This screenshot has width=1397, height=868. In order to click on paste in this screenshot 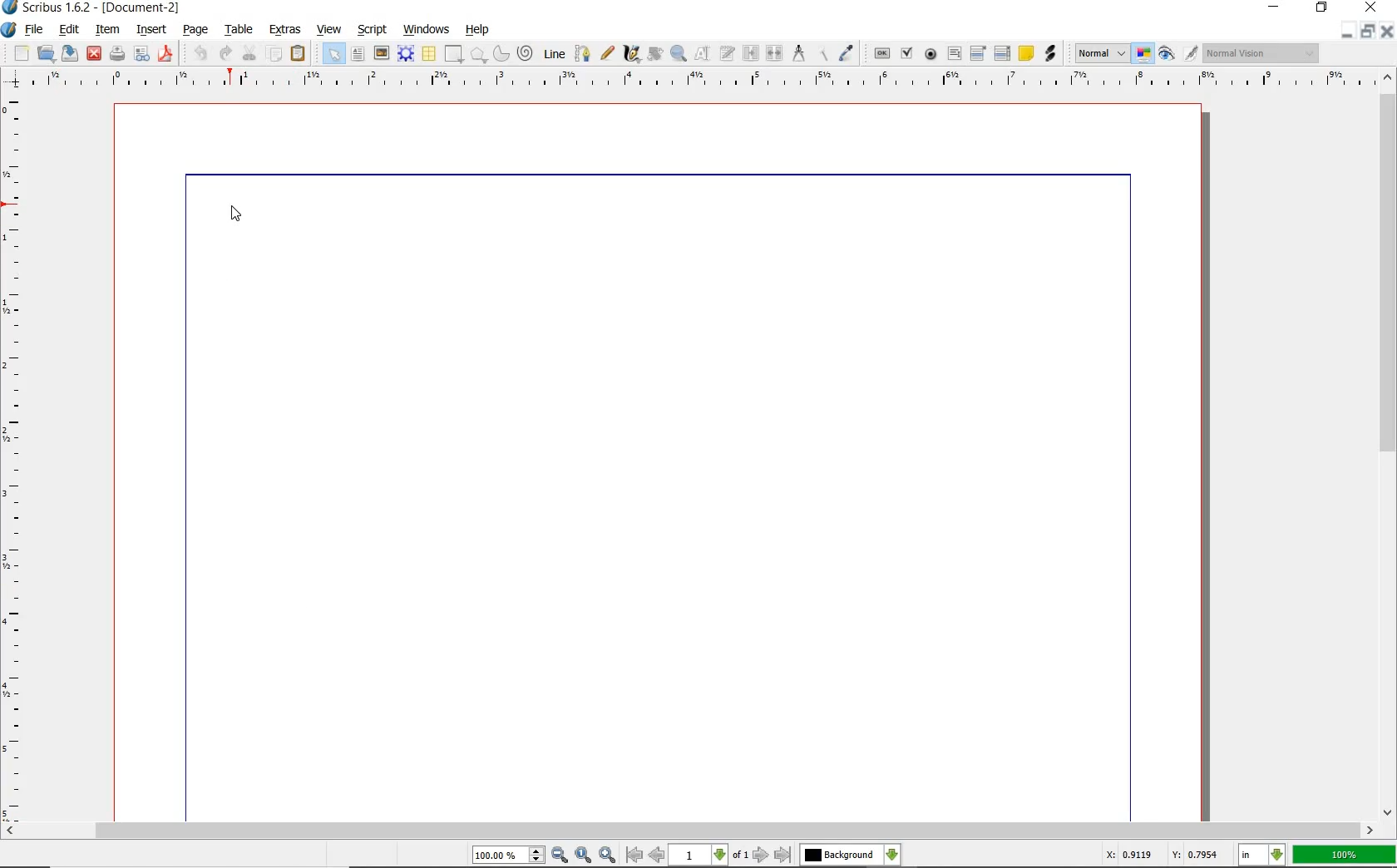, I will do `click(299, 55)`.